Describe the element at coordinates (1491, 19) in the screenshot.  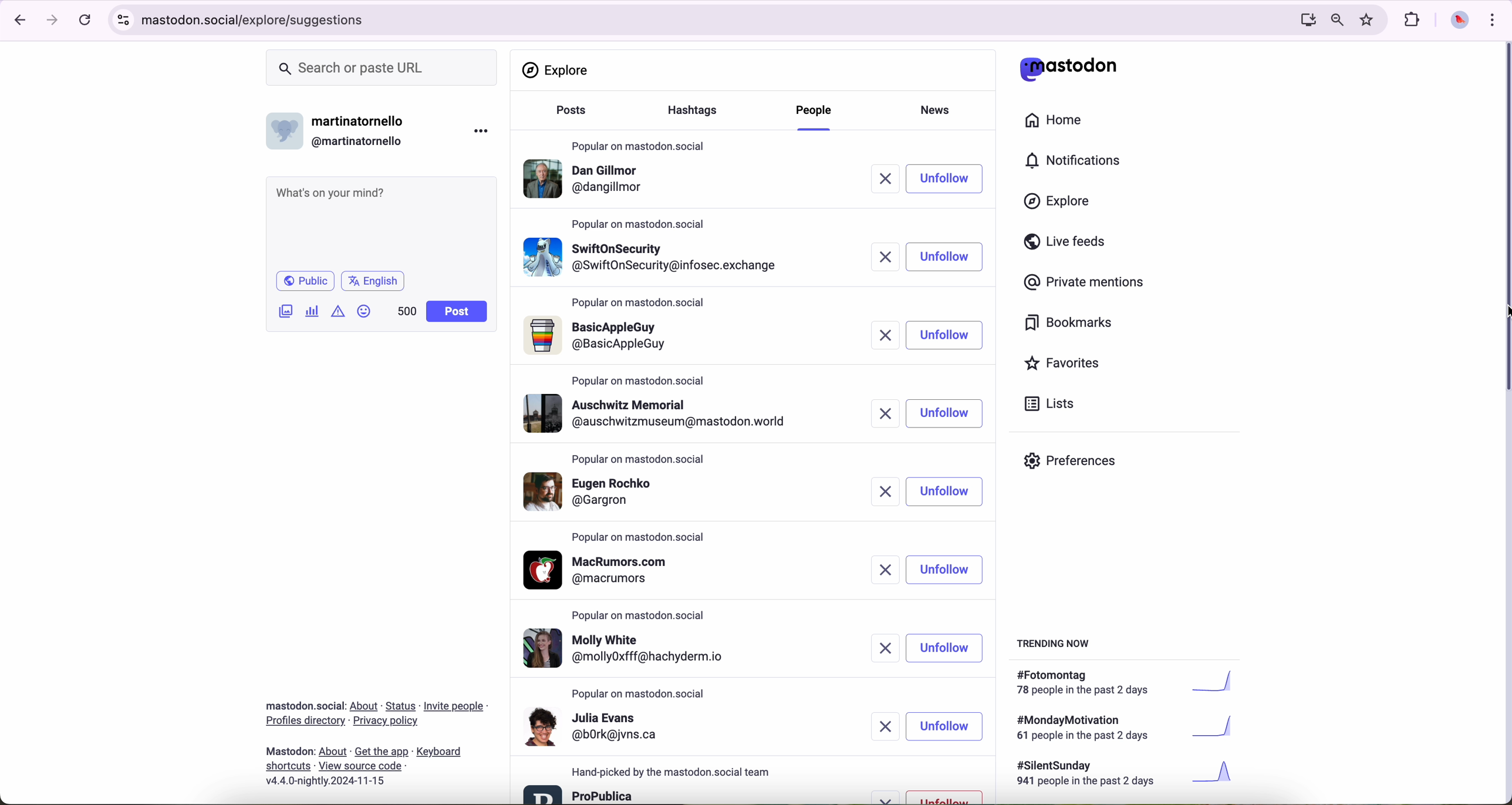
I see `customize and control Google Chrome` at that location.